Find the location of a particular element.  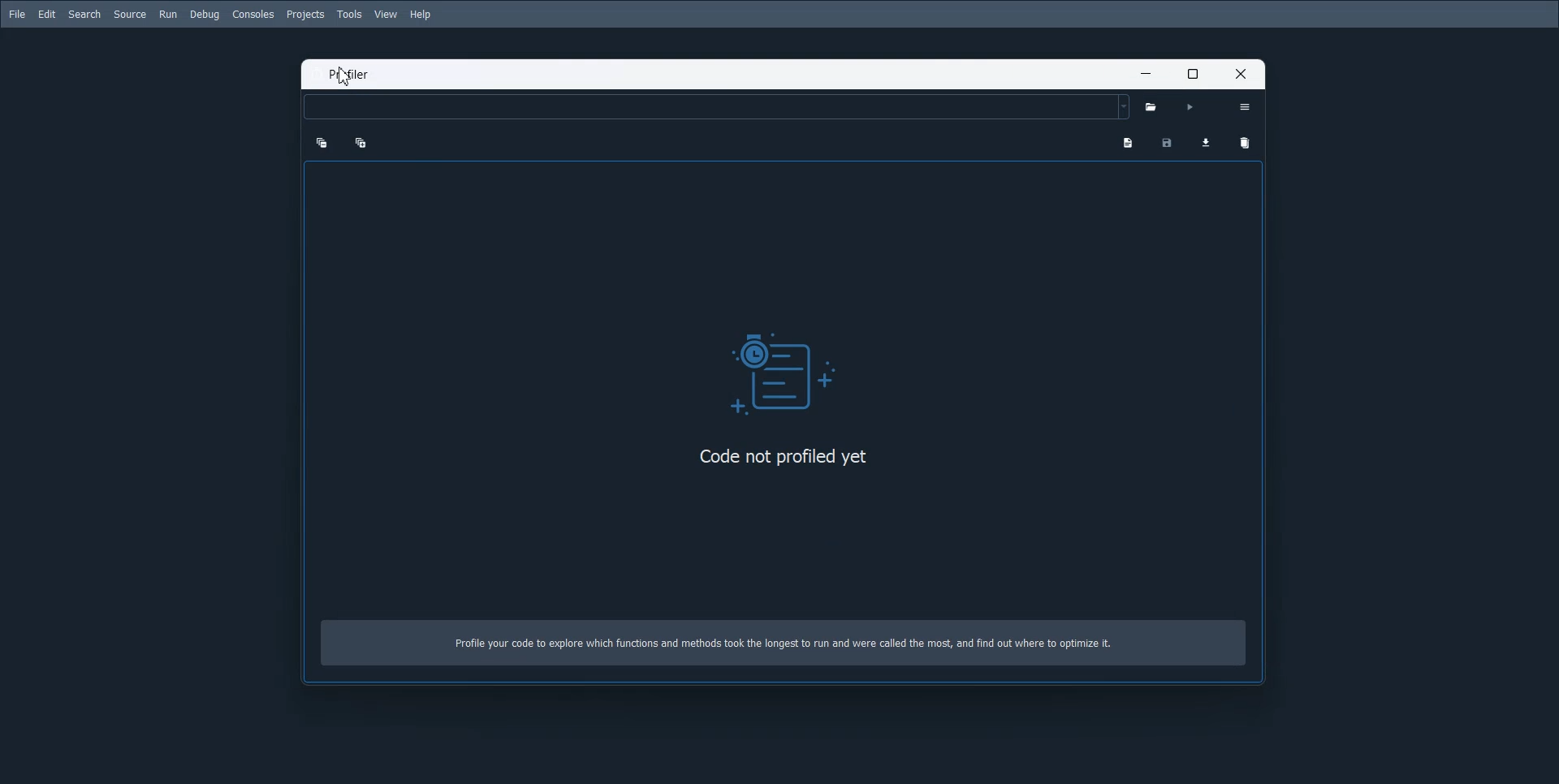

Tools is located at coordinates (351, 14).